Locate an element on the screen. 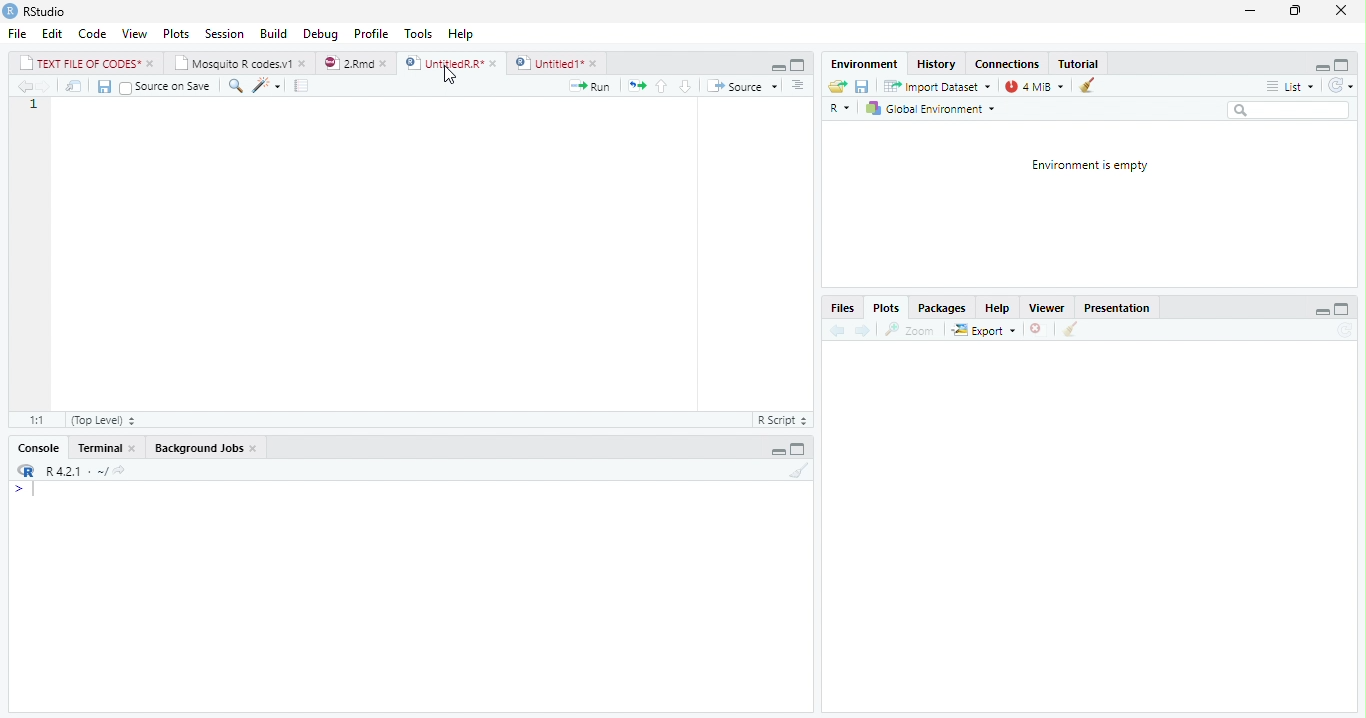 Image resolution: width=1366 pixels, height=718 pixels. close is located at coordinates (1337, 10).